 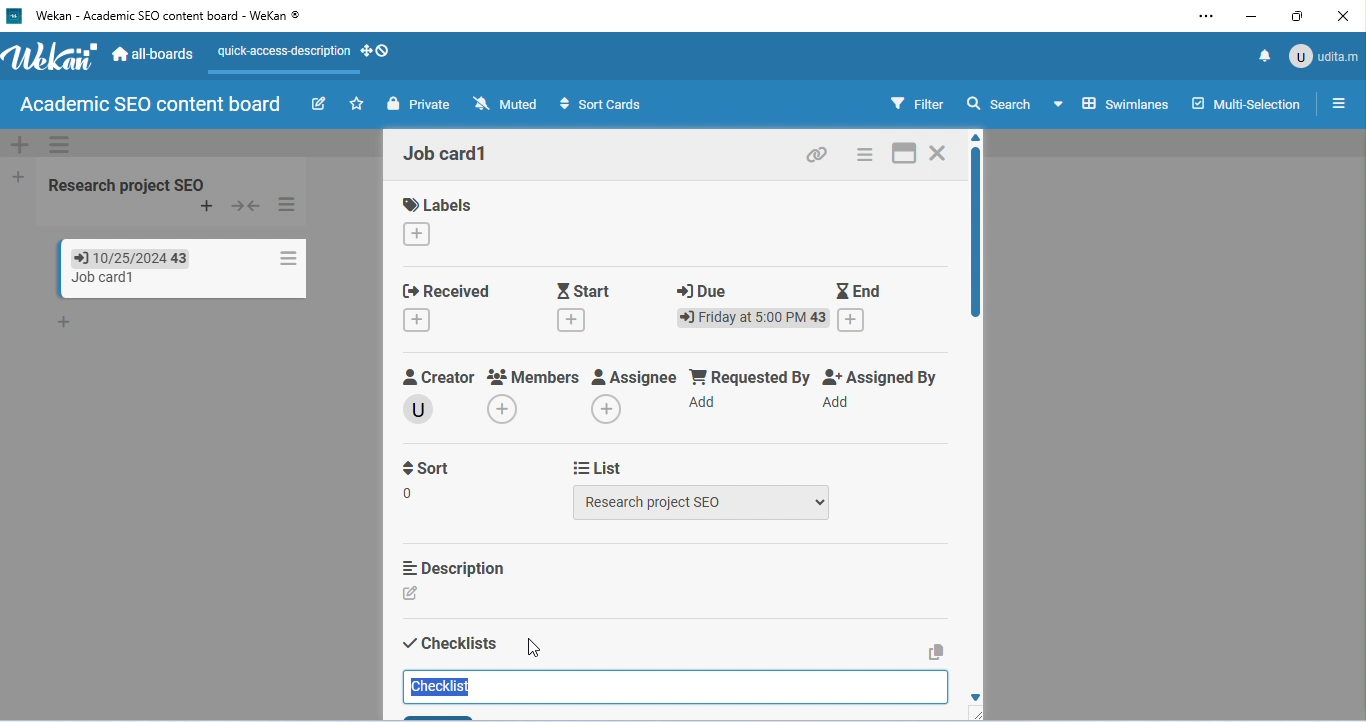 I want to click on click to star this board, so click(x=356, y=104).